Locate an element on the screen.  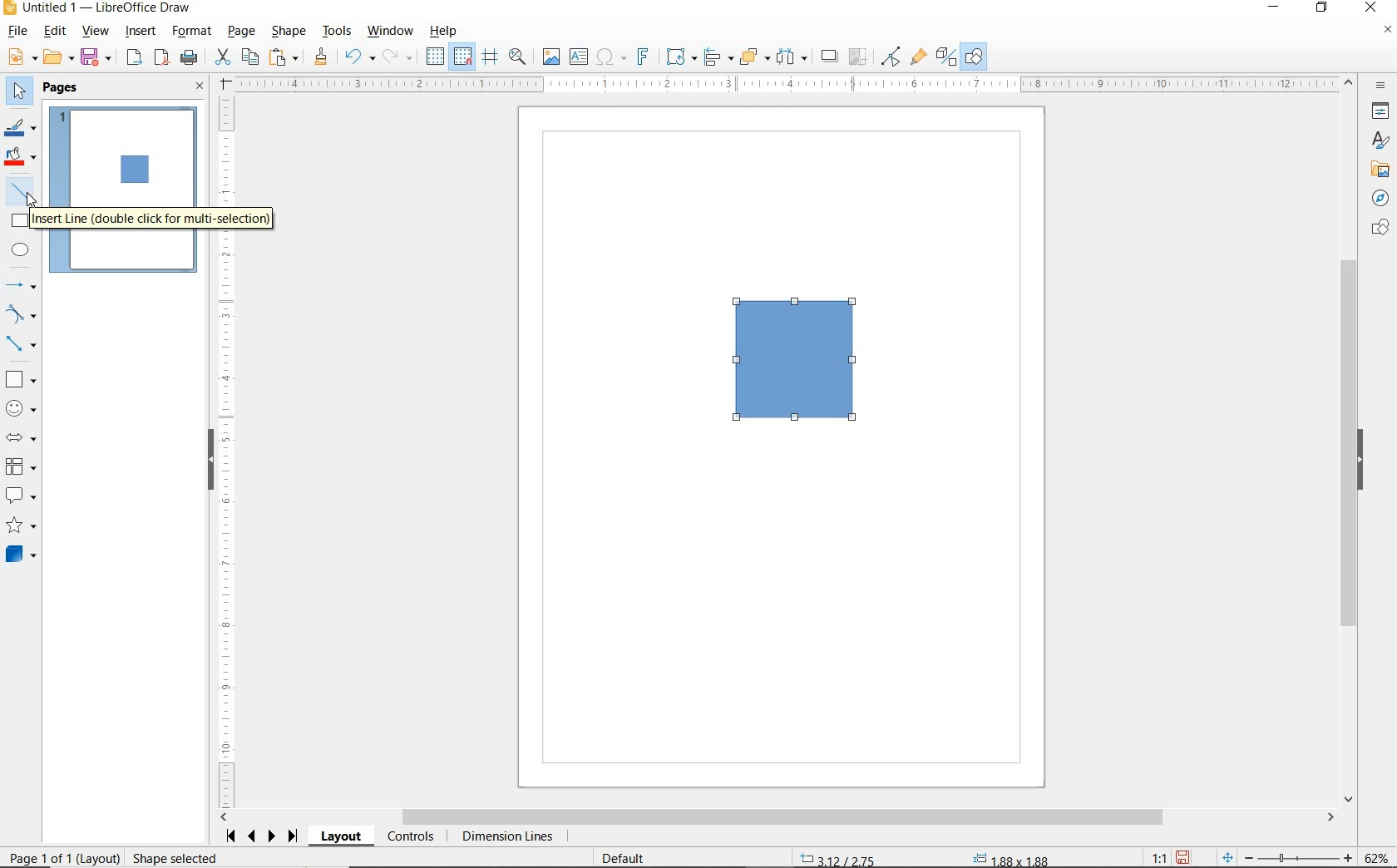
VIEW is located at coordinates (95, 31).